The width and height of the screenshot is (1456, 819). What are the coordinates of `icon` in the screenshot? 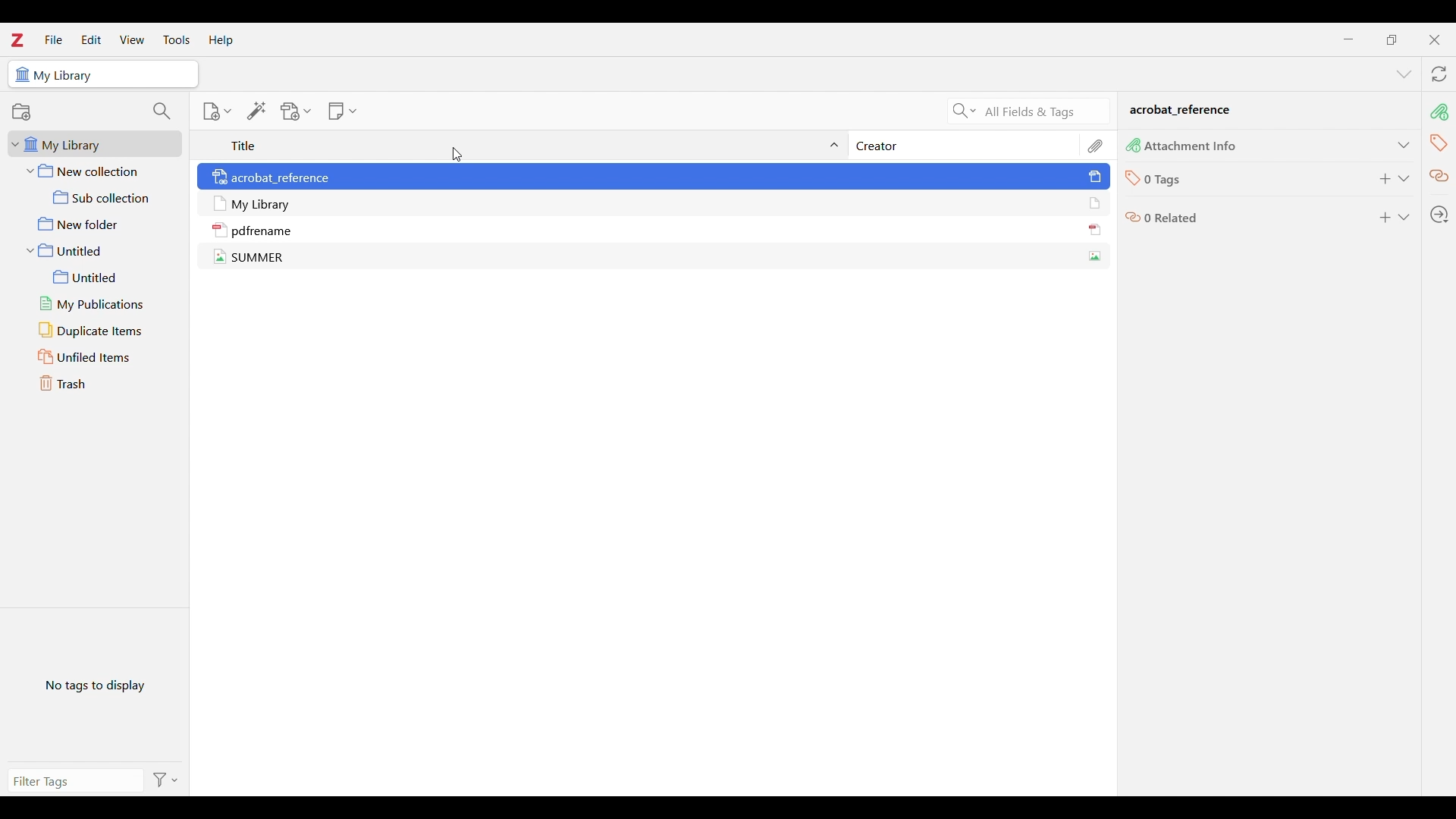 It's located at (1133, 145).